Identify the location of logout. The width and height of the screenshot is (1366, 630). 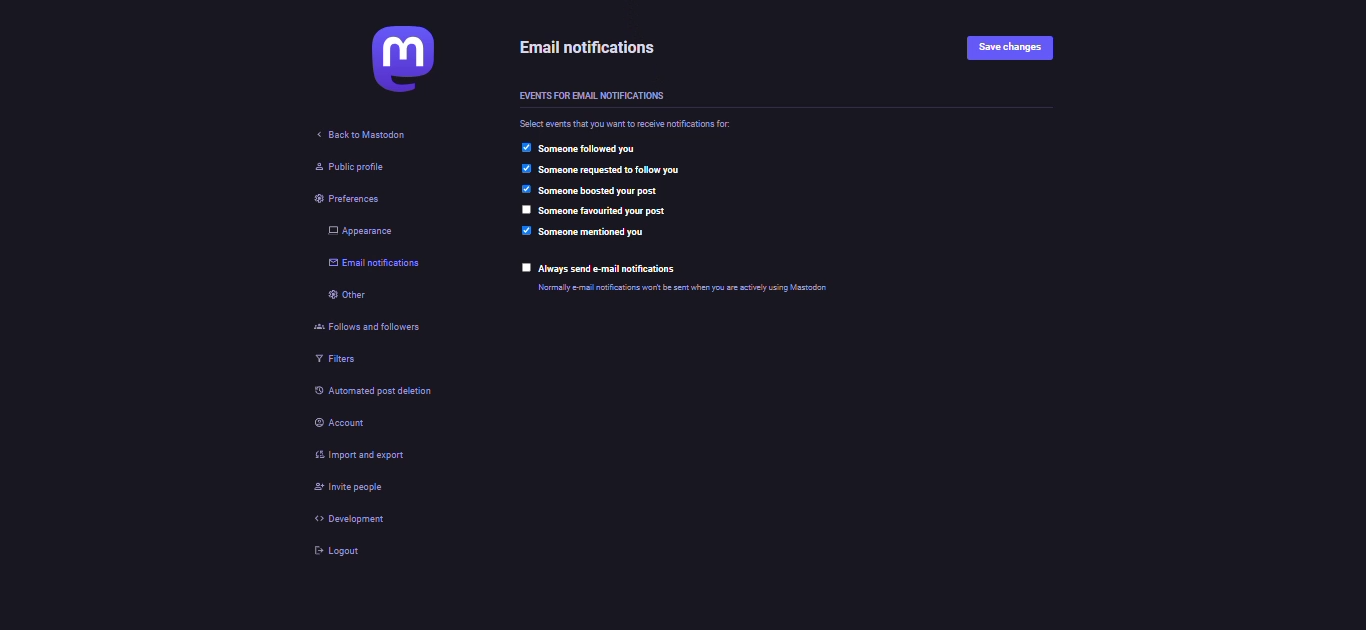
(340, 551).